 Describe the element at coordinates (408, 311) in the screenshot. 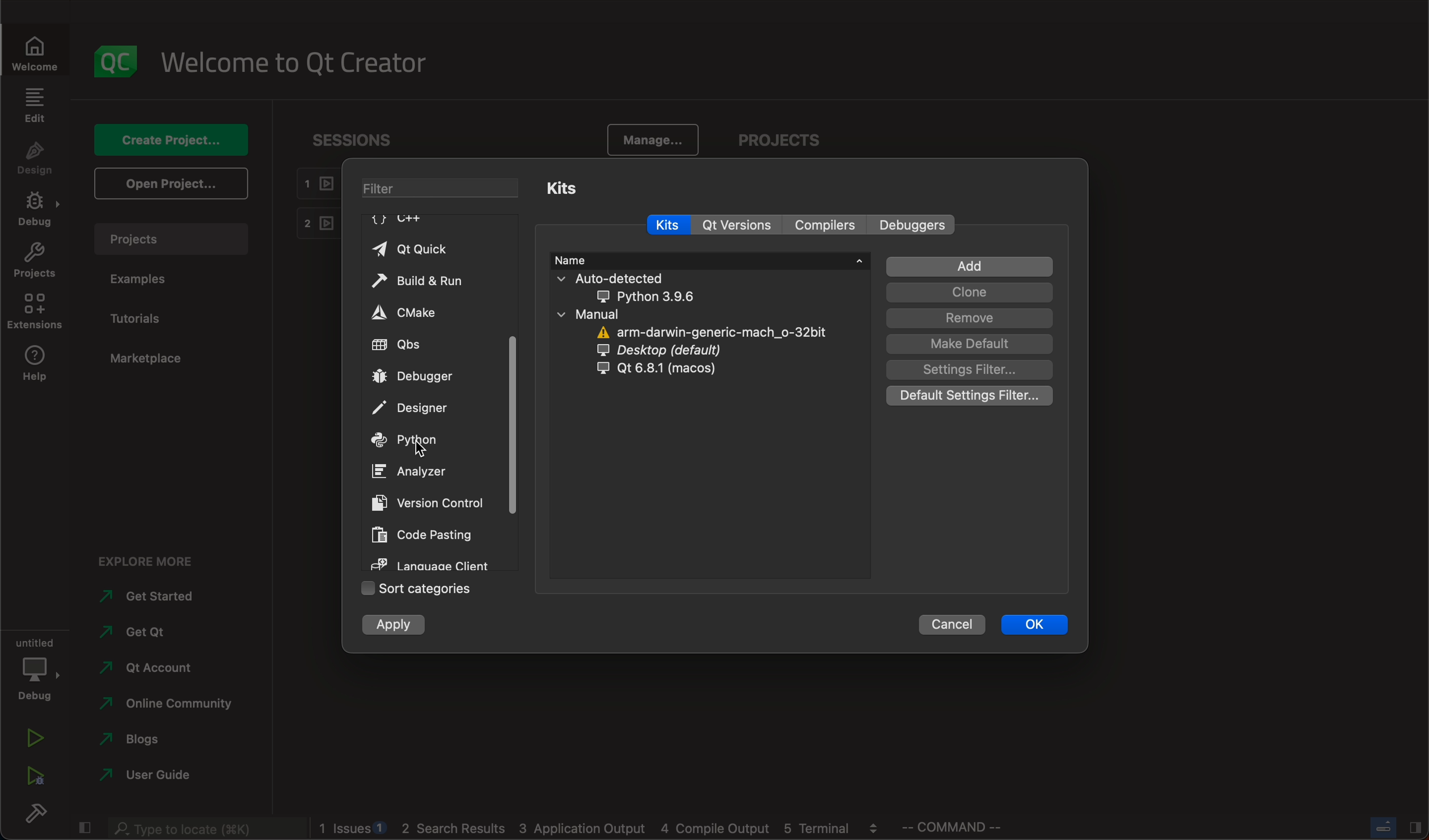

I see `cmake` at that location.